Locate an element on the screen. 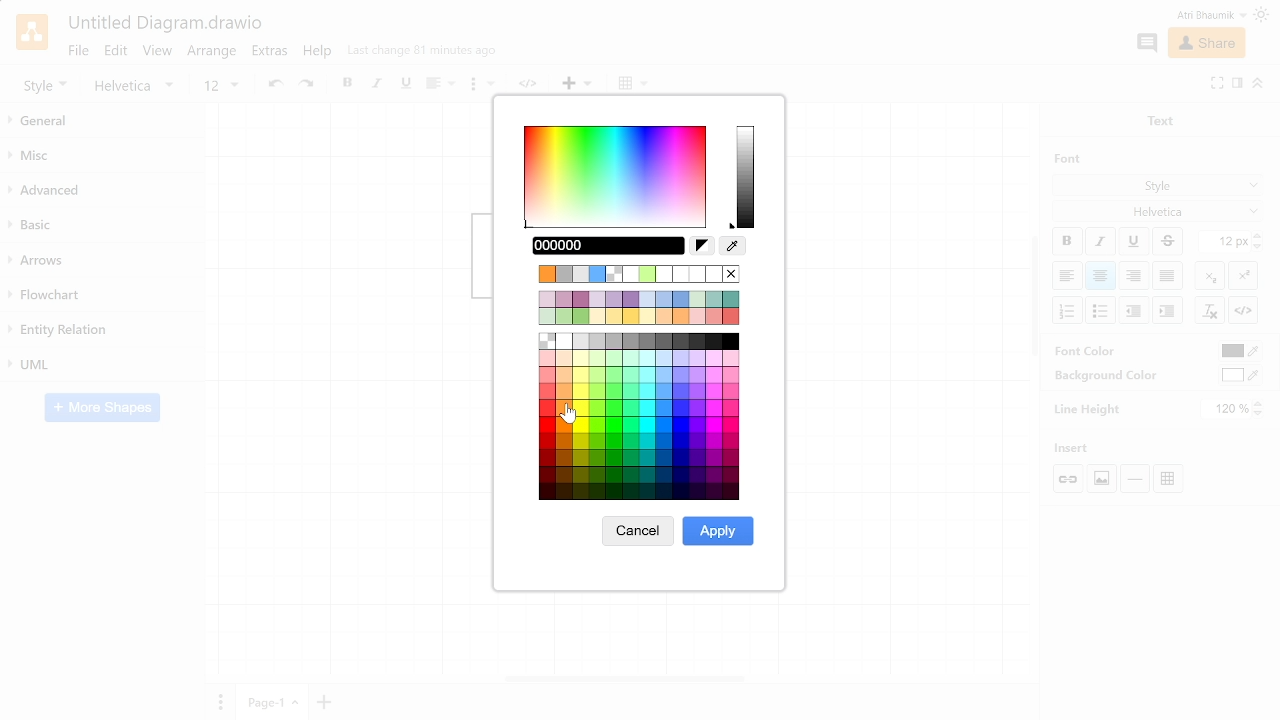  Cancel is located at coordinates (637, 535).